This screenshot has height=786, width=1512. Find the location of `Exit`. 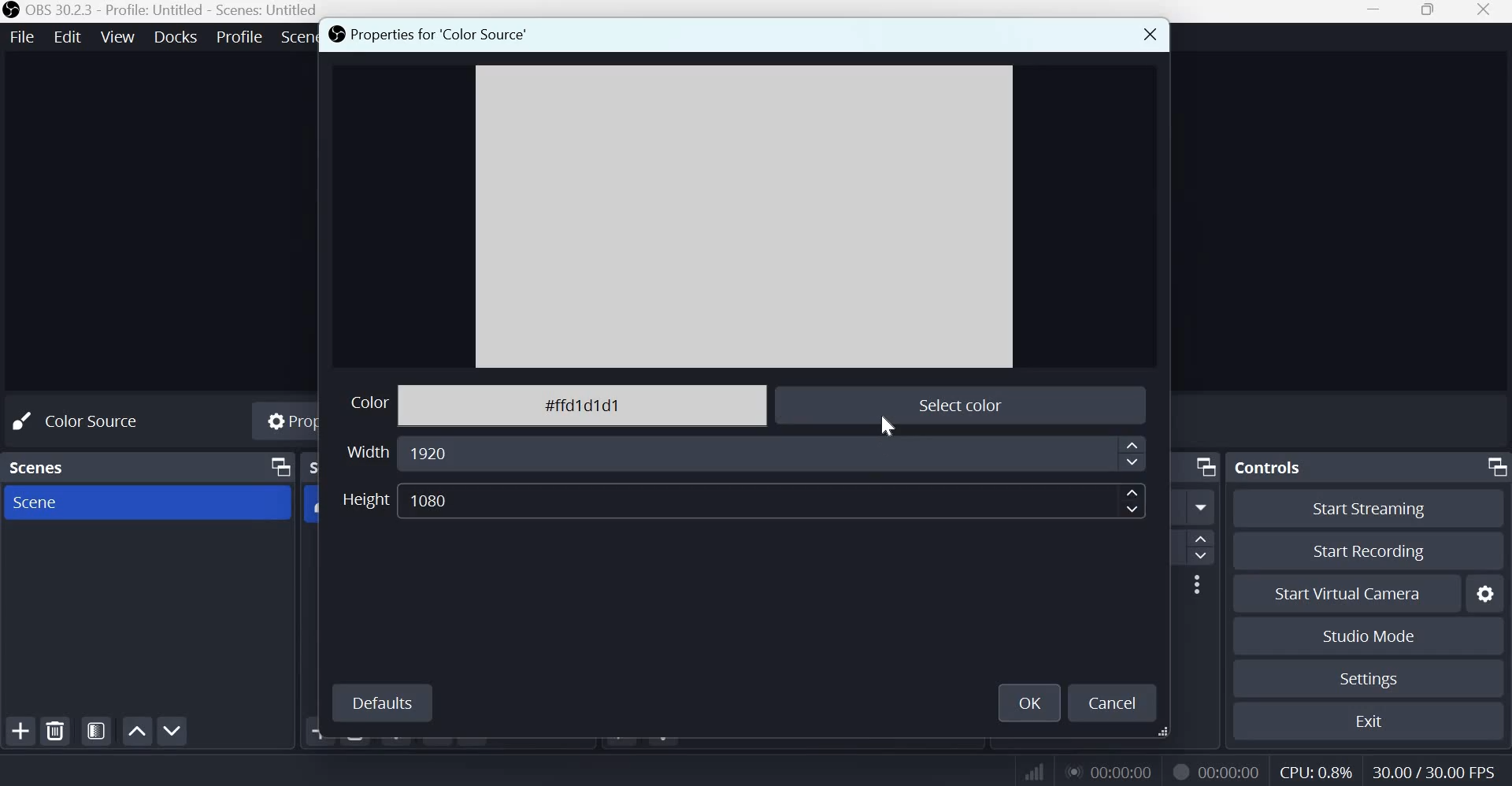

Exit is located at coordinates (1376, 721).